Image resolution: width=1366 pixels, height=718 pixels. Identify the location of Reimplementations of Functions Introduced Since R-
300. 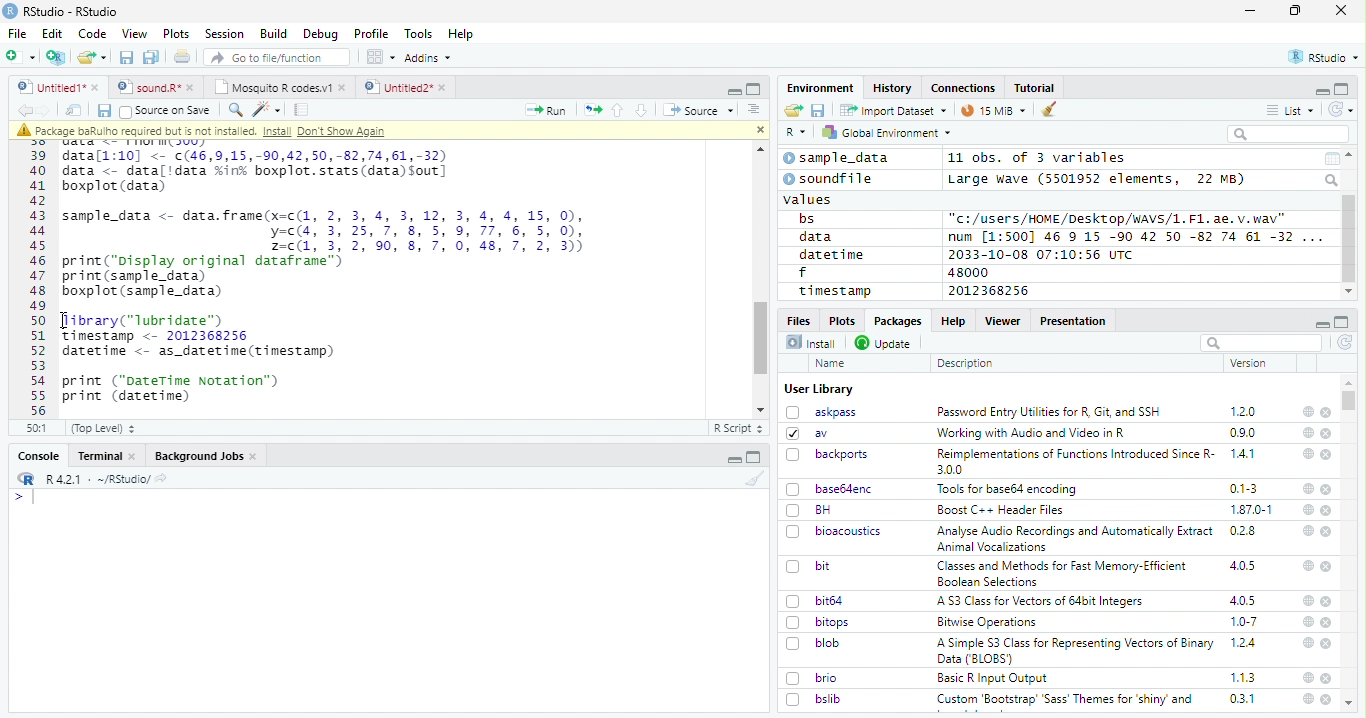
(1074, 461).